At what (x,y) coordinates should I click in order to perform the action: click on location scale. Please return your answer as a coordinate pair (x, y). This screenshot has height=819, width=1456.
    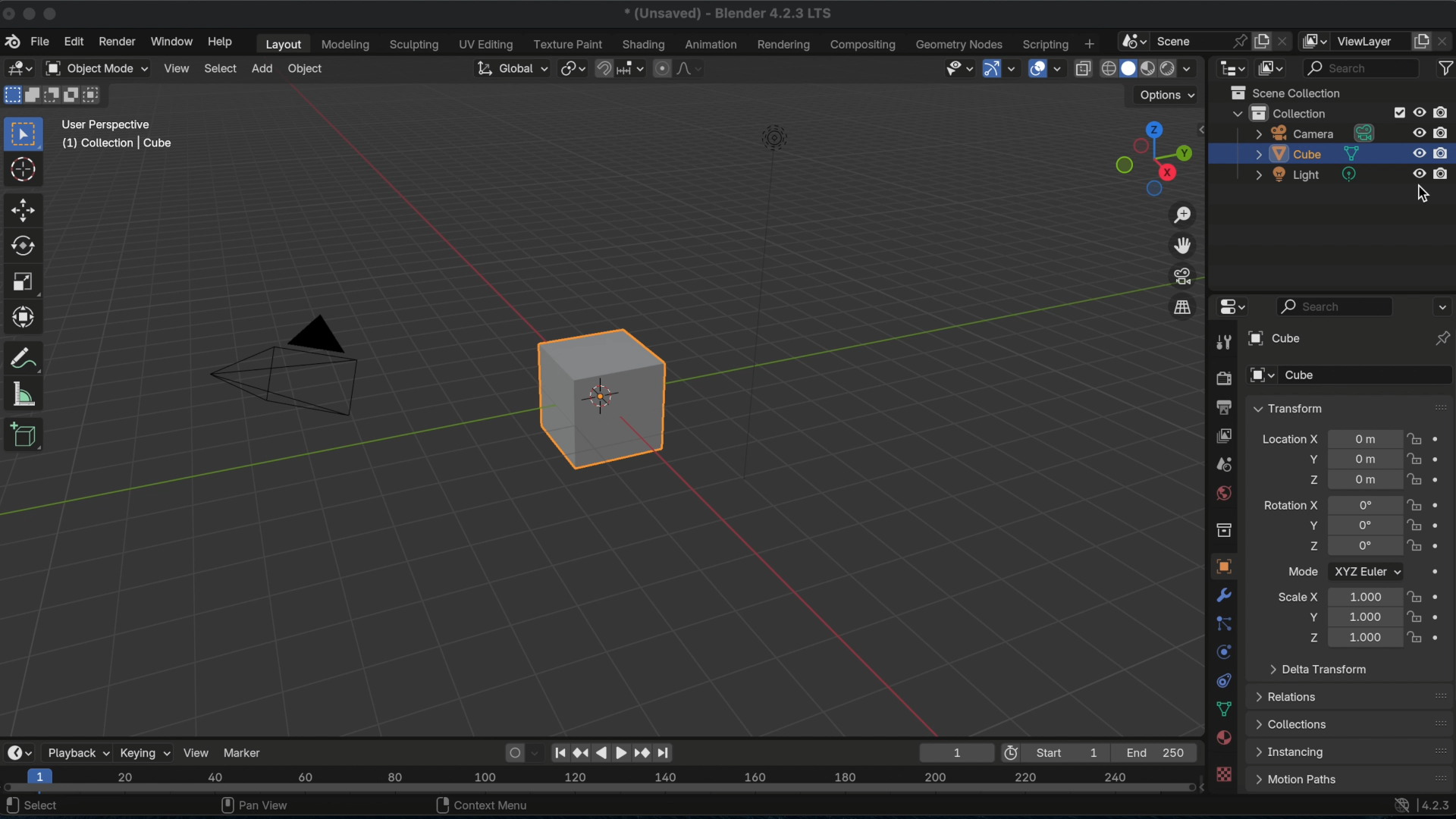
    Looking at the image, I should click on (1365, 595).